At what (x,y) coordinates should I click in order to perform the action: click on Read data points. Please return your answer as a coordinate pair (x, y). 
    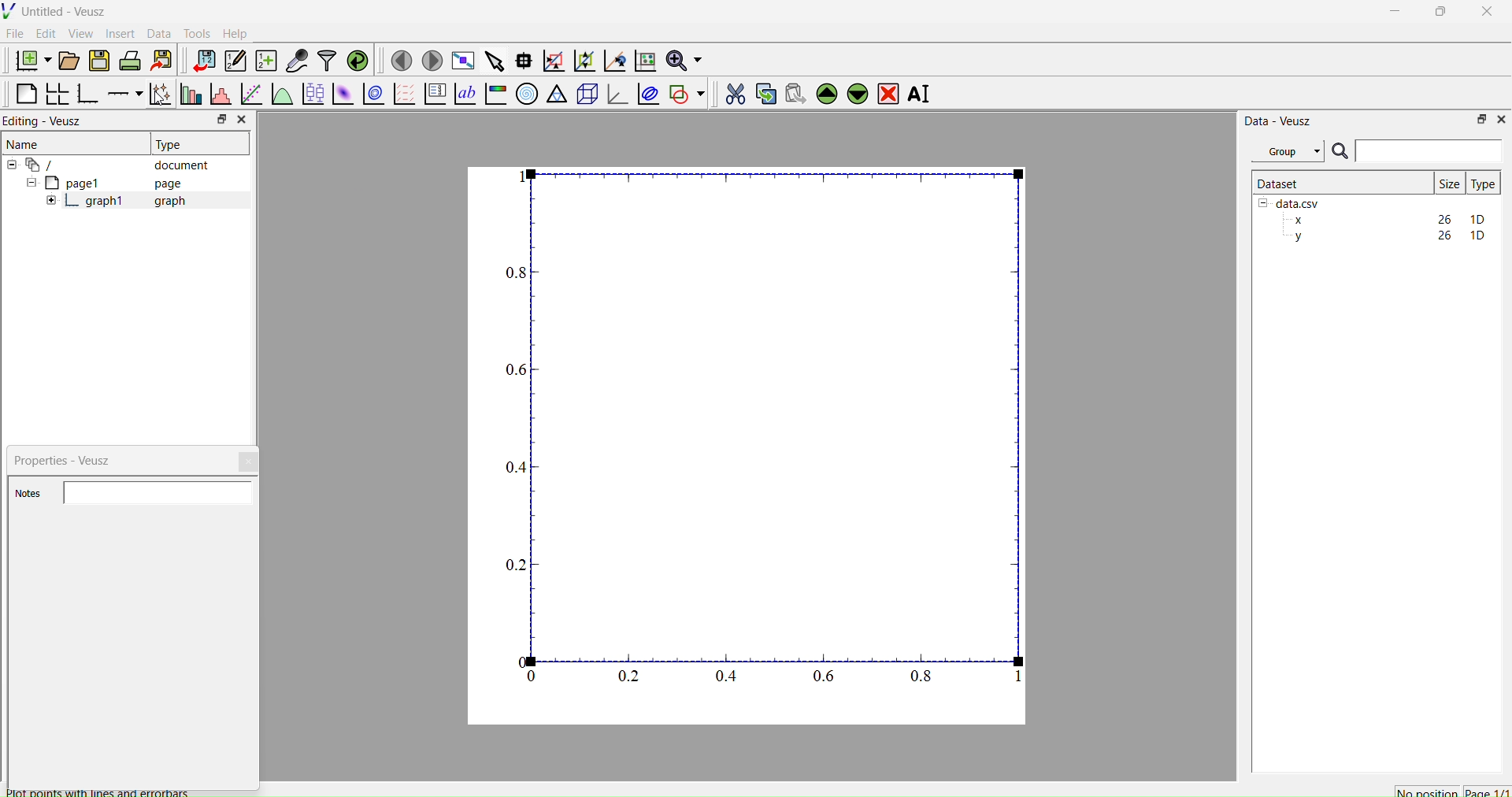
    Looking at the image, I should click on (522, 58).